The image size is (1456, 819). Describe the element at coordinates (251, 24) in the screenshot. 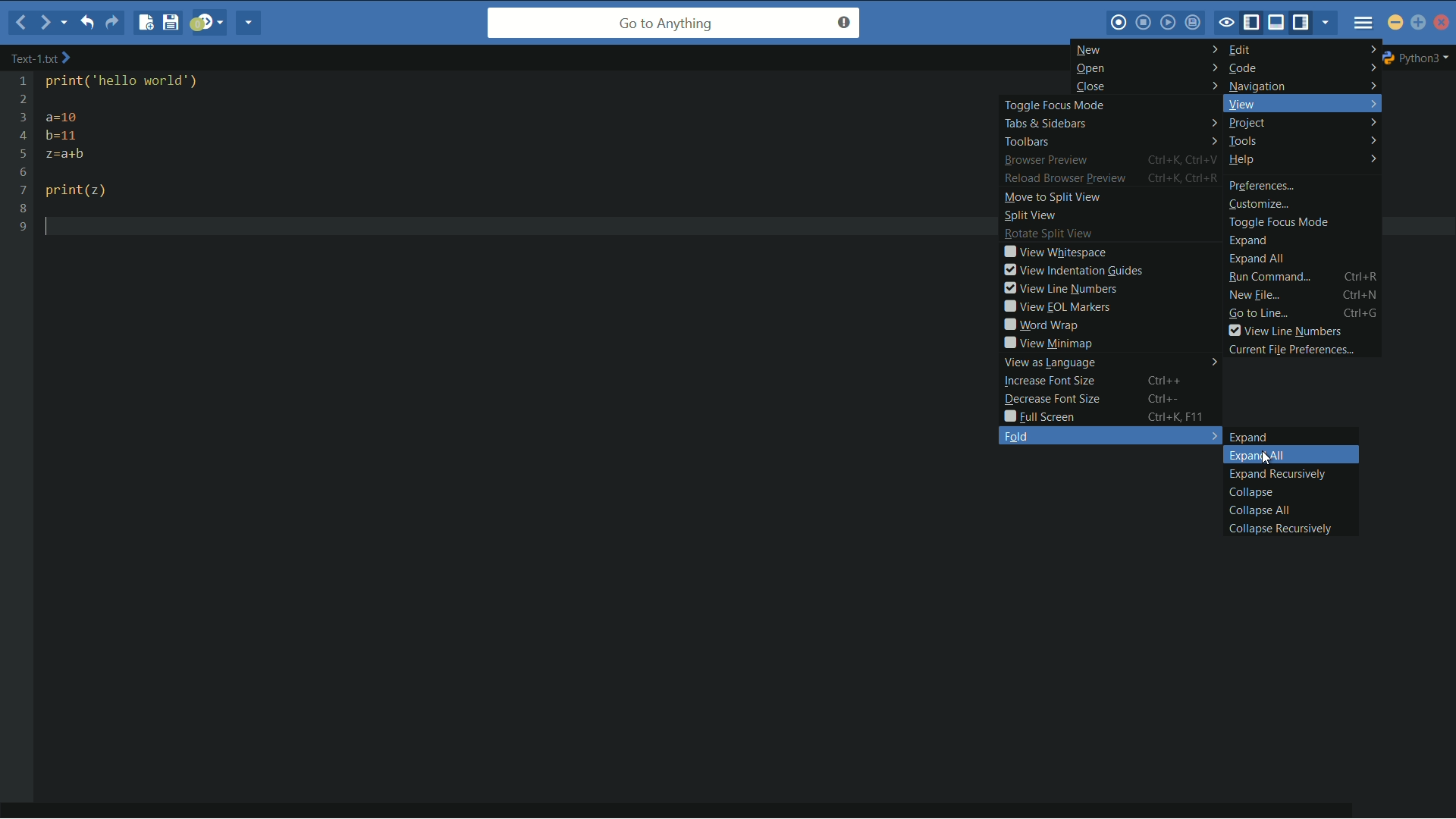

I see `share current file` at that location.